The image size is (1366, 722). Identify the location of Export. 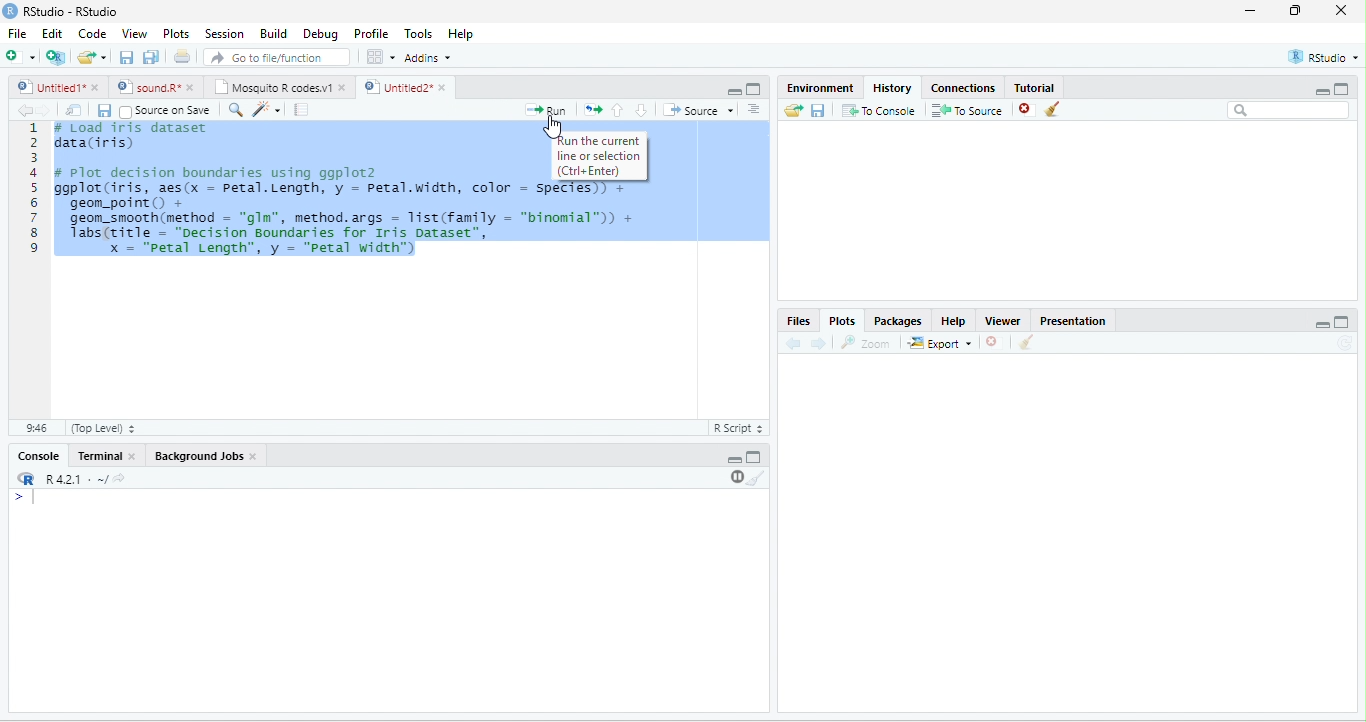
(940, 344).